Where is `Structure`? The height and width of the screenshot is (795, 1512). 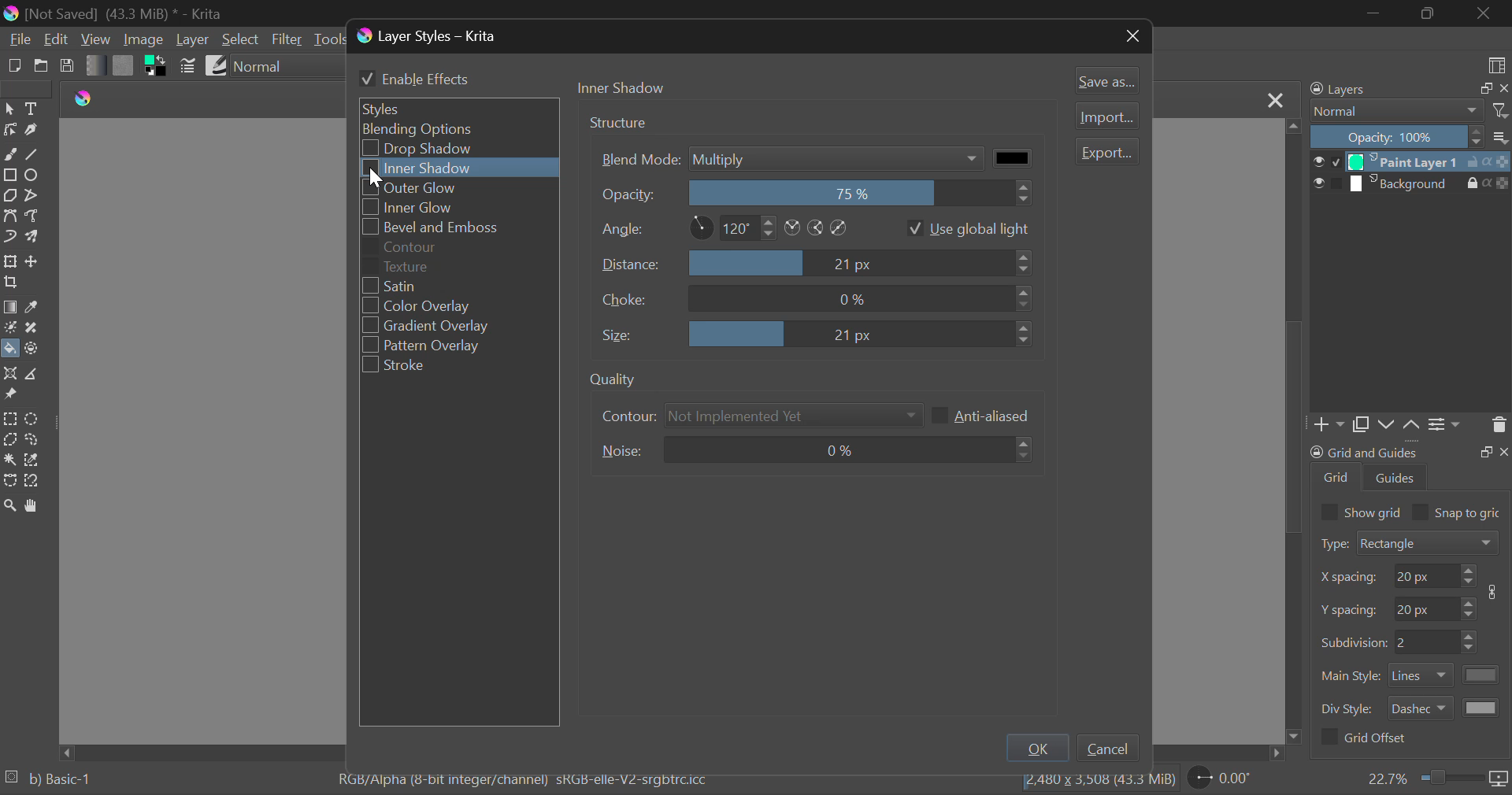 Structure is located at coordinates (623, 120).